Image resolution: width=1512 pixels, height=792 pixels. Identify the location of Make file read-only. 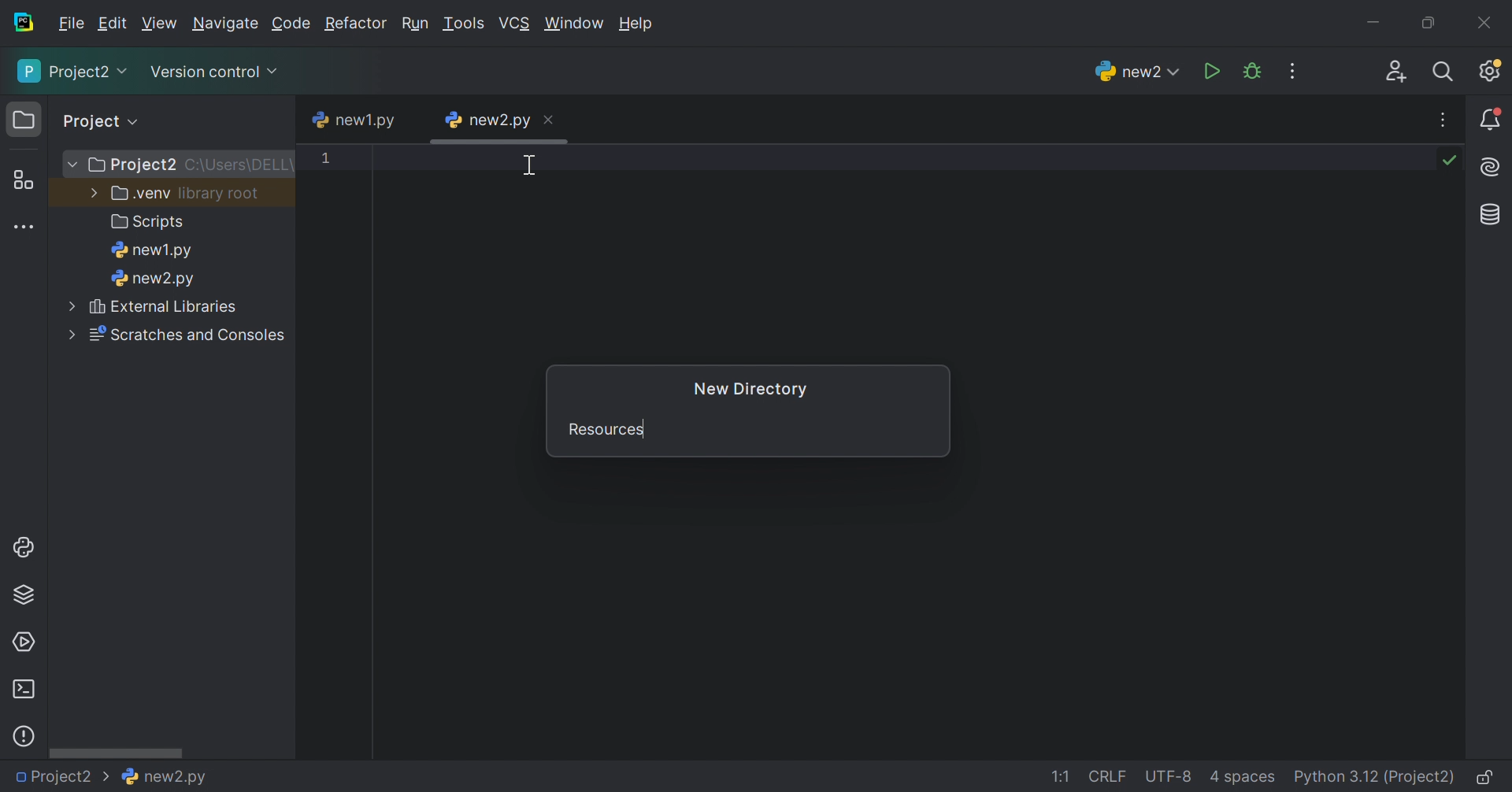
(1486, 776).